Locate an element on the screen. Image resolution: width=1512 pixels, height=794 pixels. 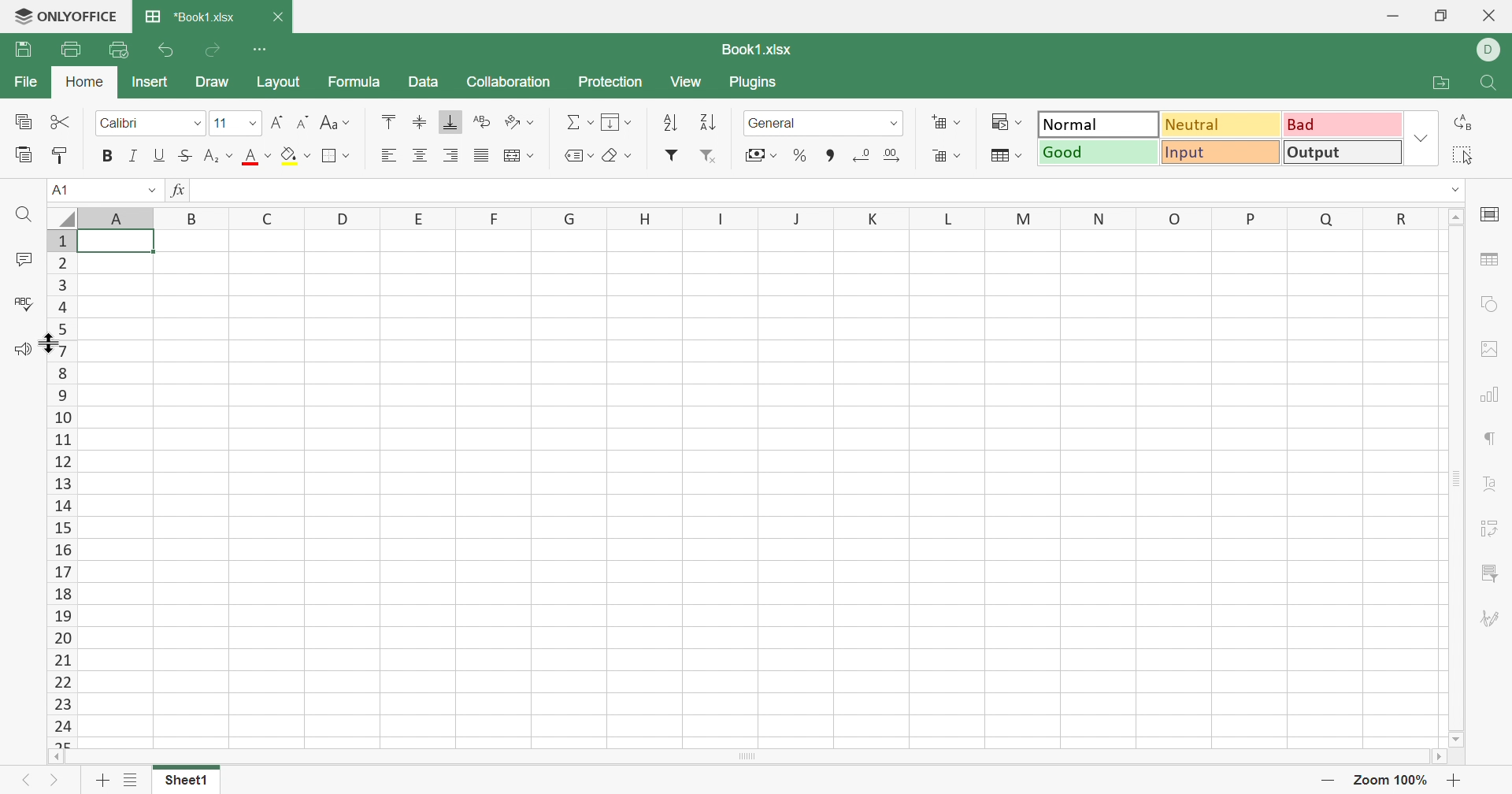
Increment font size is located at coordinates (275, 123).